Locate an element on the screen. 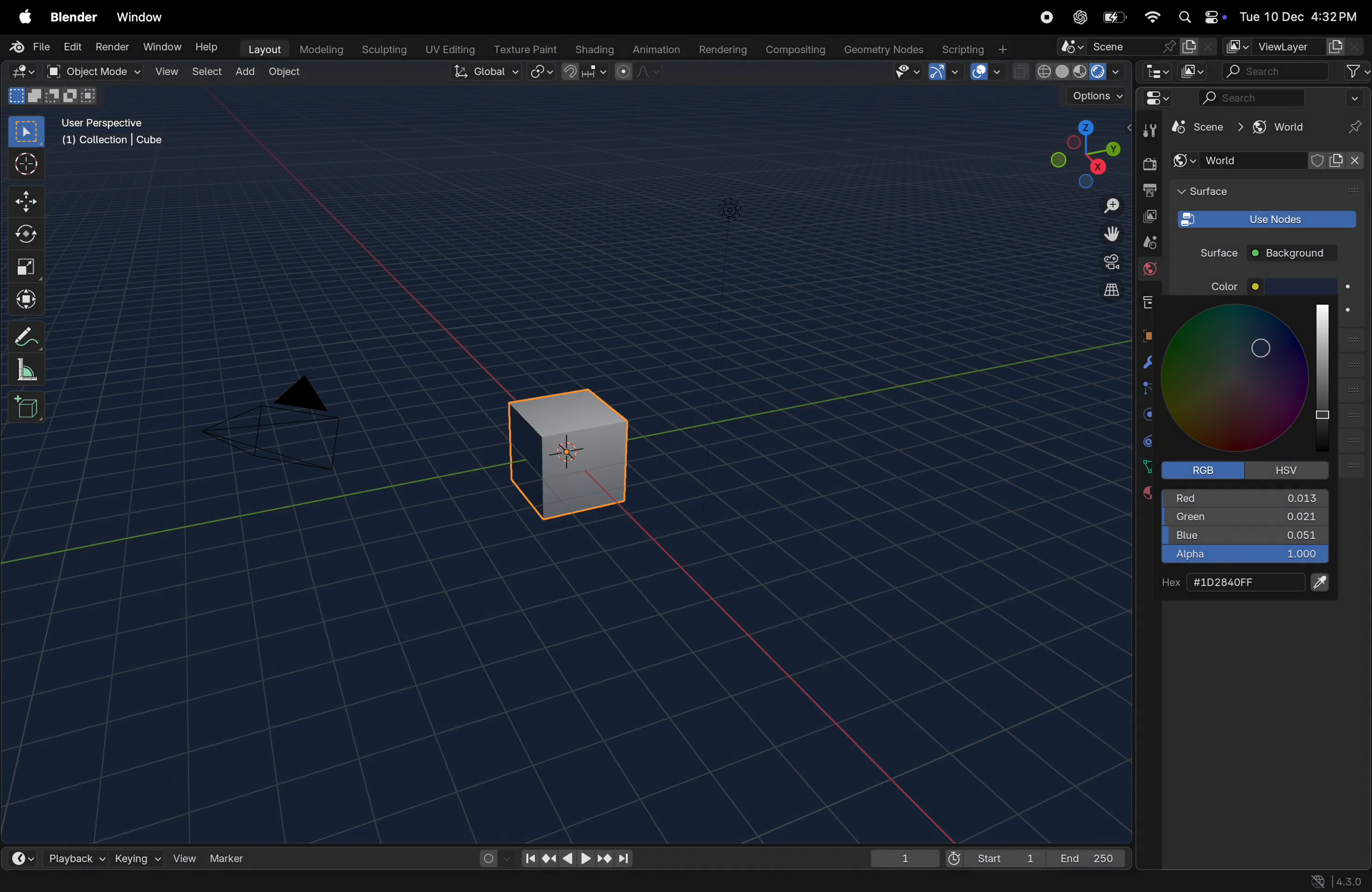 This screenshot has width=1372, height=892. ® Background is located at coordinates (1298, 253).